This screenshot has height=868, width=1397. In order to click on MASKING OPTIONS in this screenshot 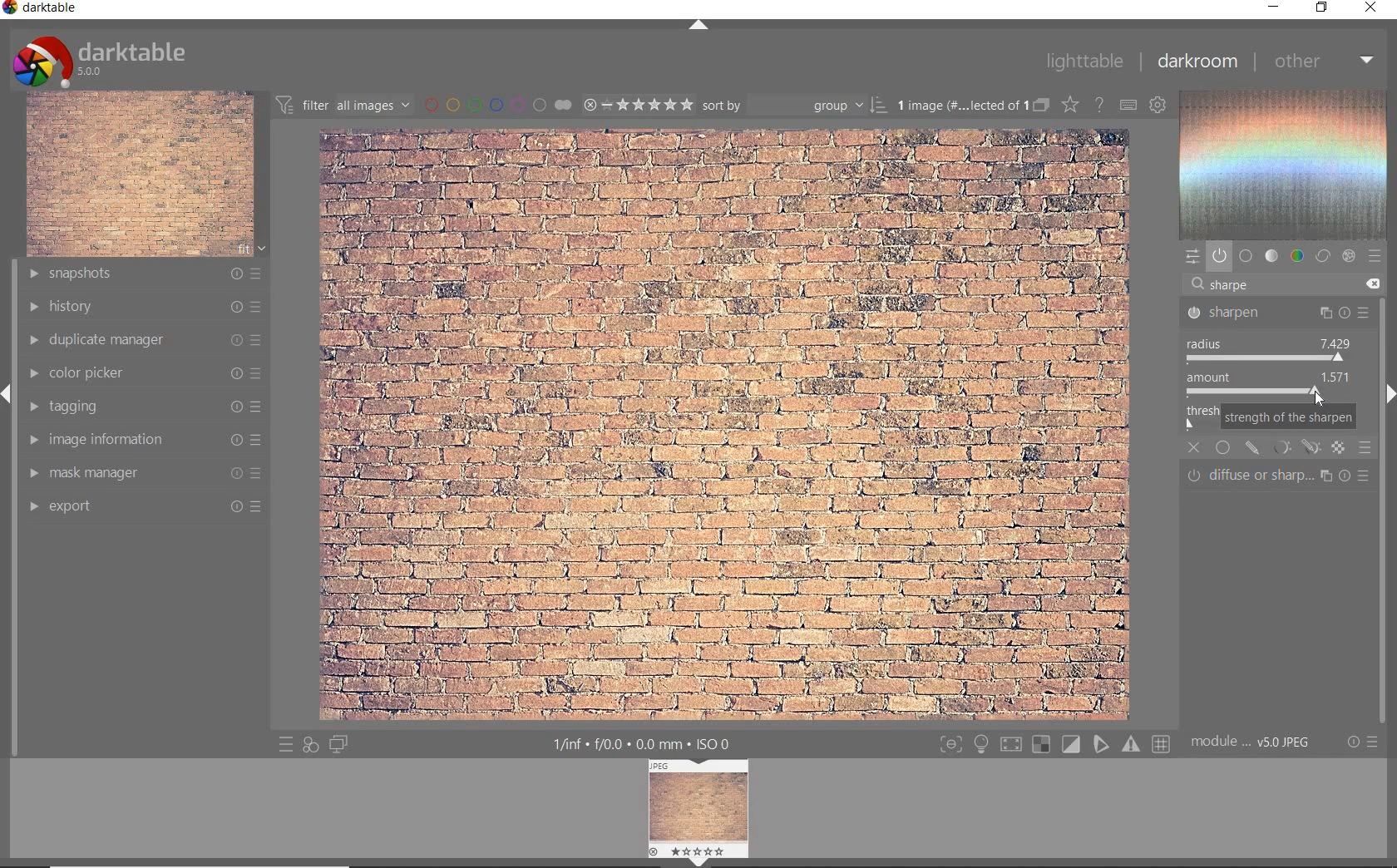, I will do `click(1293, 448)`.